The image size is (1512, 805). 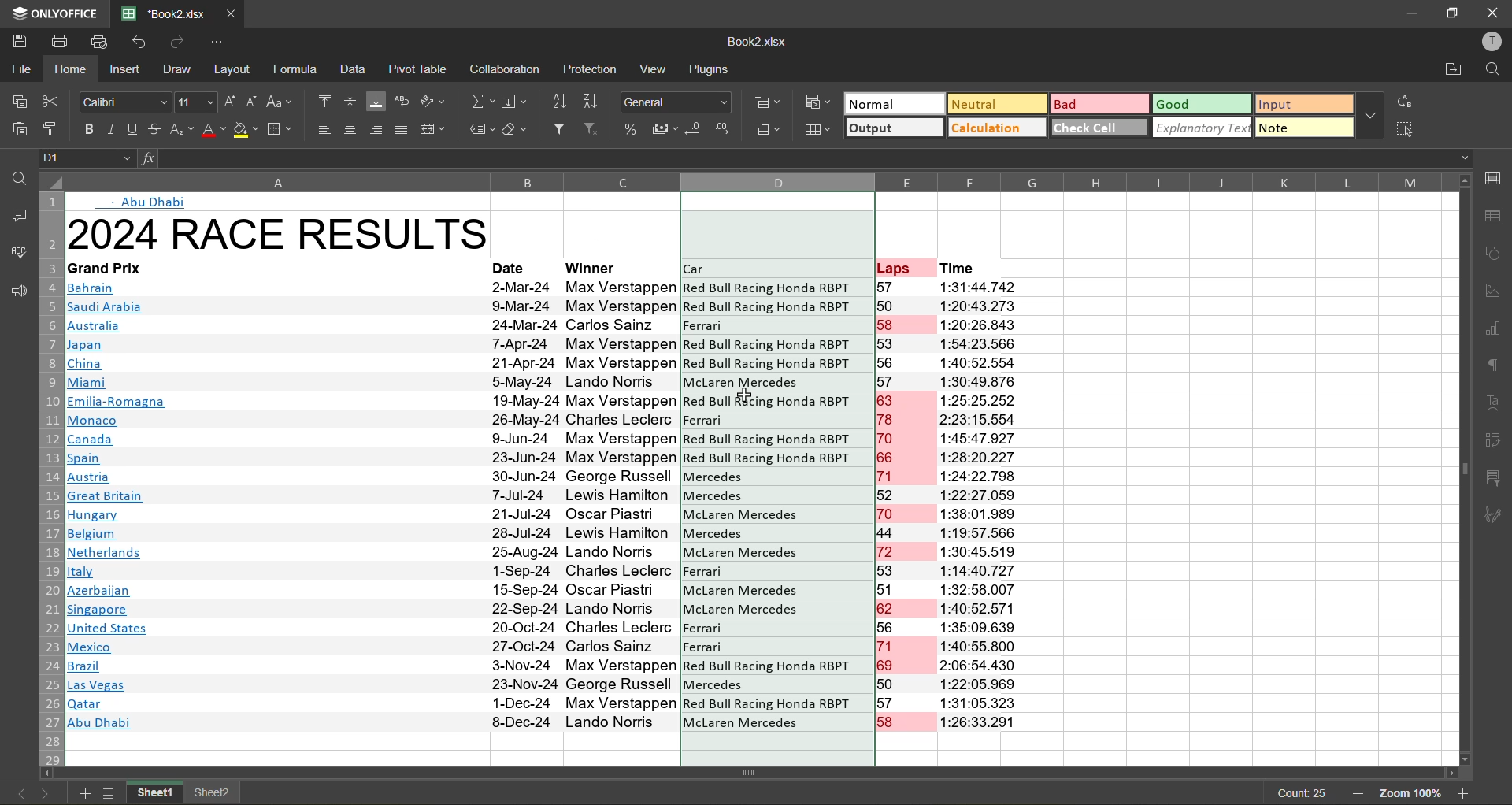 I want to click on named ranges, so click(x=480, y=127).